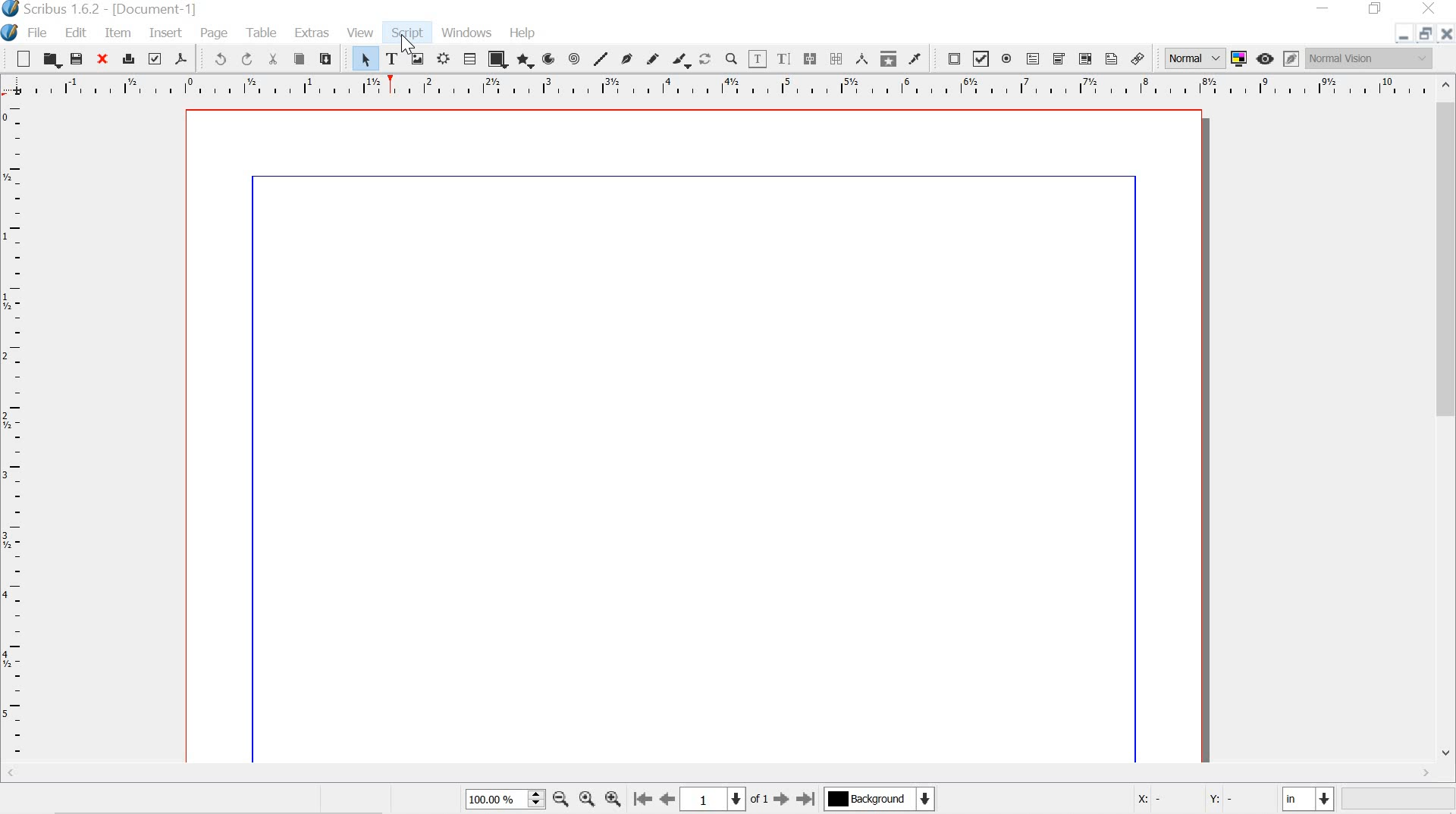 The height and width of the screenshot is (814, 1456). What do you see at coordinates (79, 60) in the screenshot?
I see `save` at bounding box center [79, 60].